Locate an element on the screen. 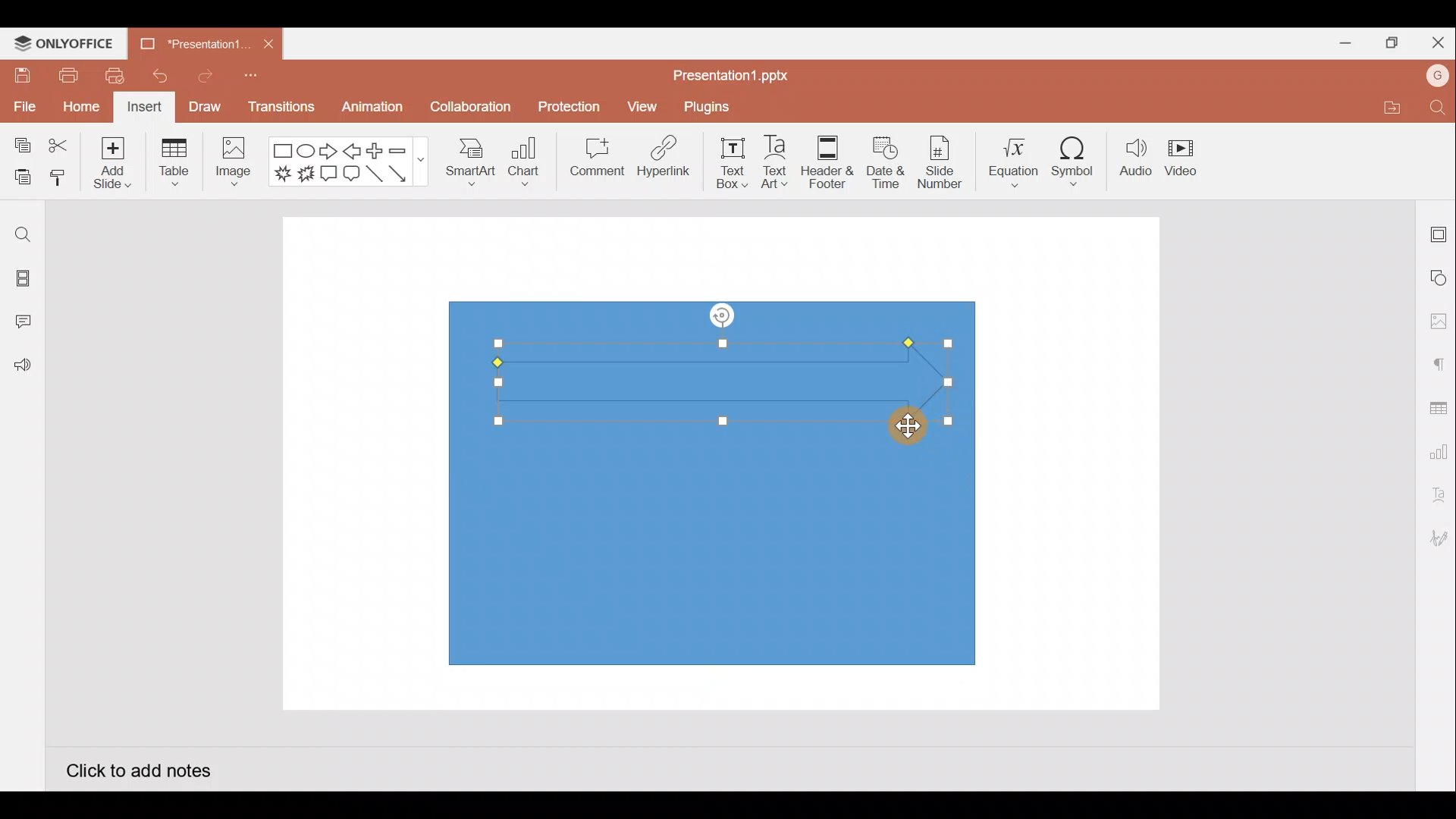 Image resolution: width=1456 pixels, height=819 pixels. Signature settings is located at coordinates (1436, 540).